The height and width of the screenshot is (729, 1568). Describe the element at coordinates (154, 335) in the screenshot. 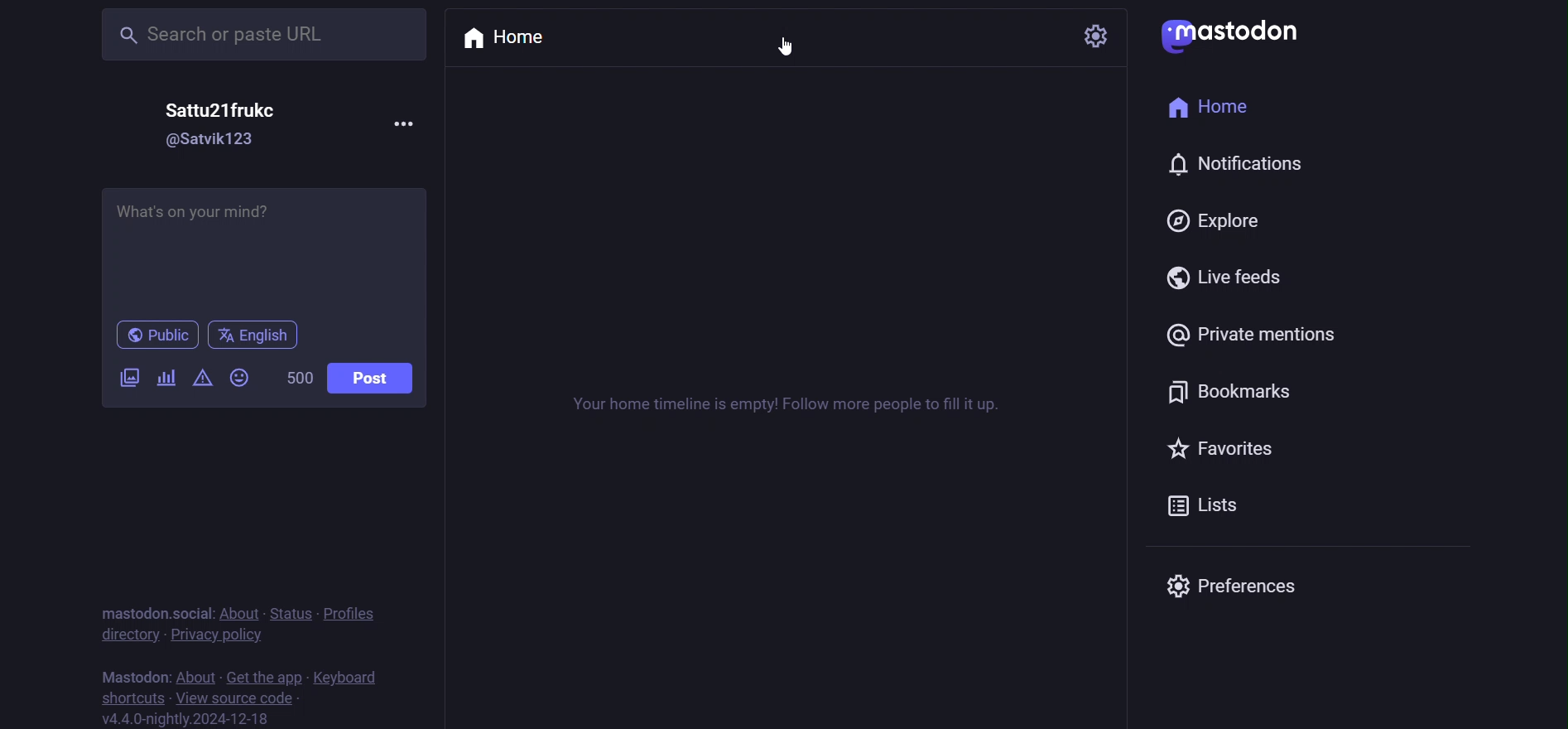

I see `public` at that location.